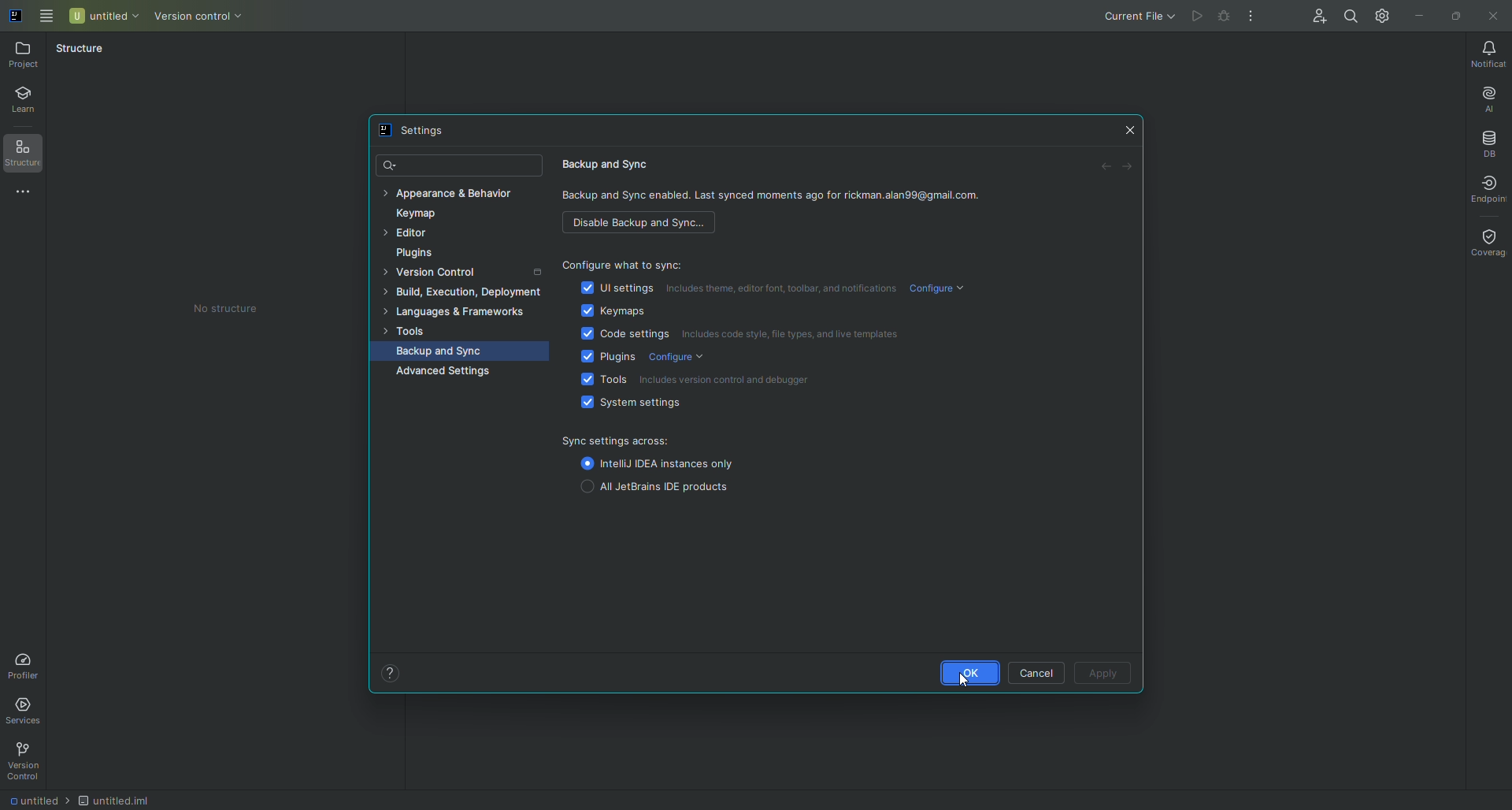  What do you see at coordinates (1315, 19) in the screenshot?
I see `Code With Me` at bounding box center [1315, 19].